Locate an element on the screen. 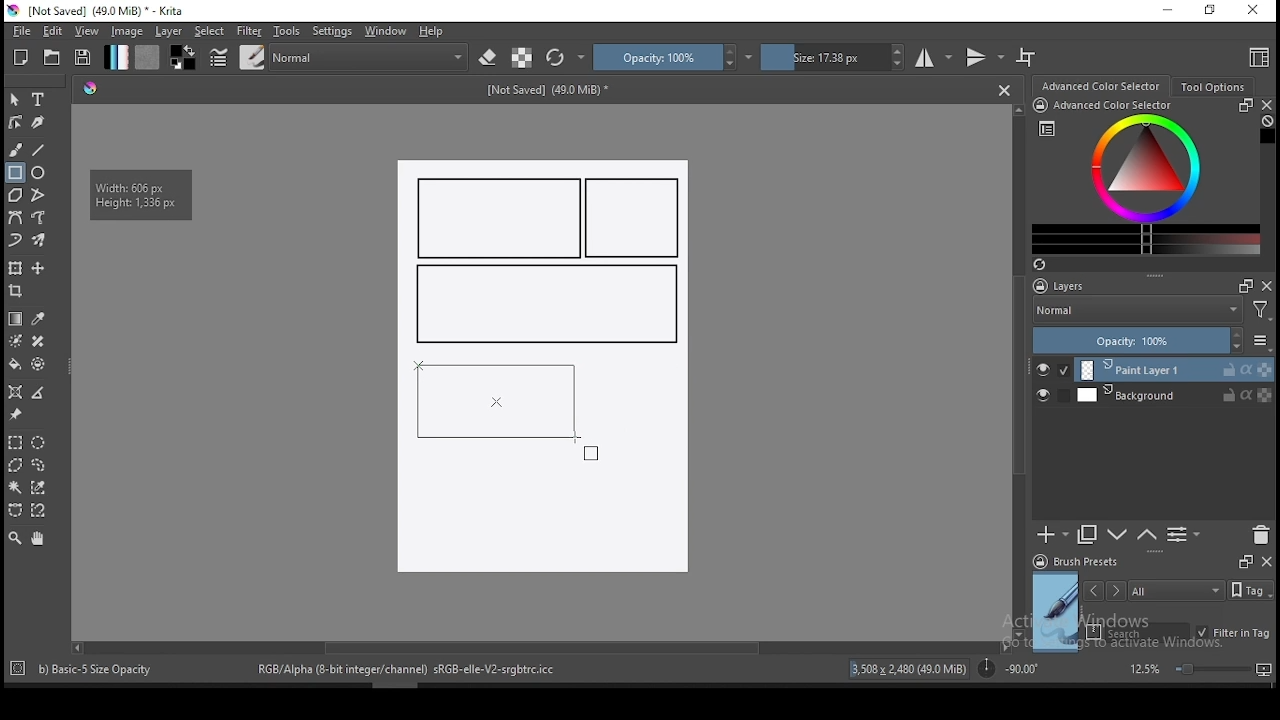 The width and height of the screenshot is (1280, 720). close docker is located at coordinates (1266, 560).